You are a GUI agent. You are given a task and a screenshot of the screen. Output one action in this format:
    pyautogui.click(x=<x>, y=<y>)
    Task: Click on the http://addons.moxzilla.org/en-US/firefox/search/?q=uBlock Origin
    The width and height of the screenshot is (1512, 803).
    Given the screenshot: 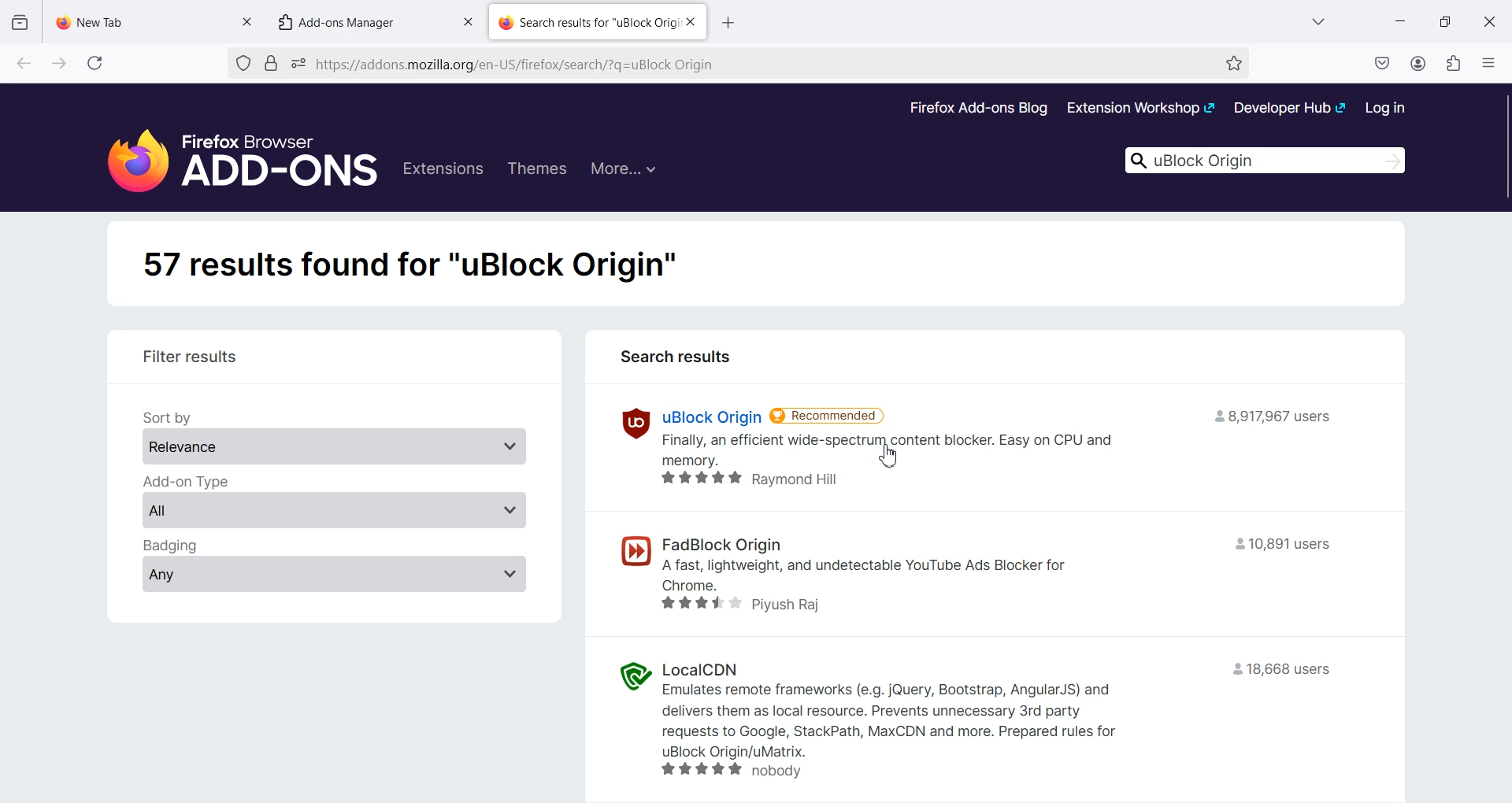 What is the action you would take?
    pyautogui.click(x=760, y=65)
    